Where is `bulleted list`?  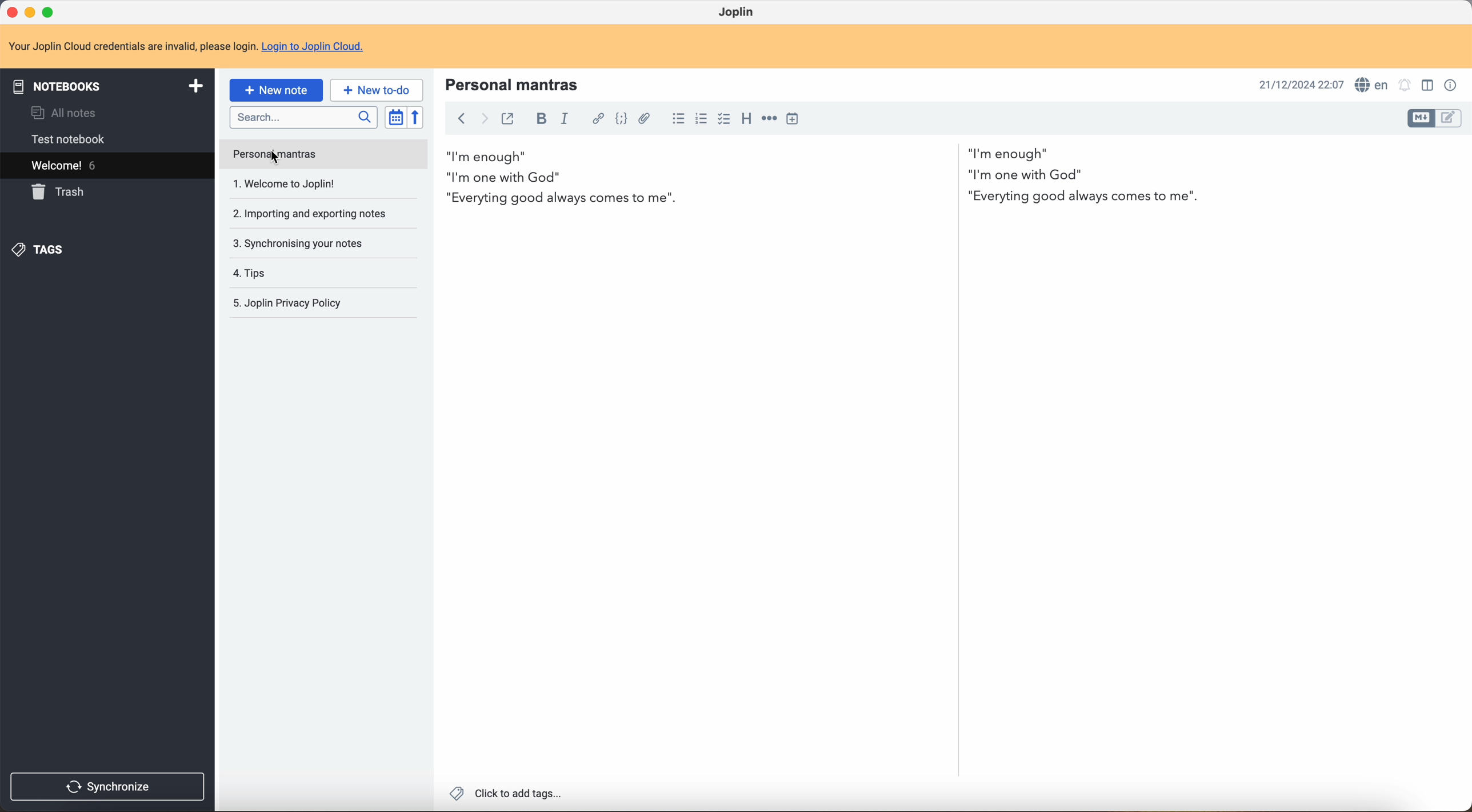
bulleted list is located at coordinates (677, 118).